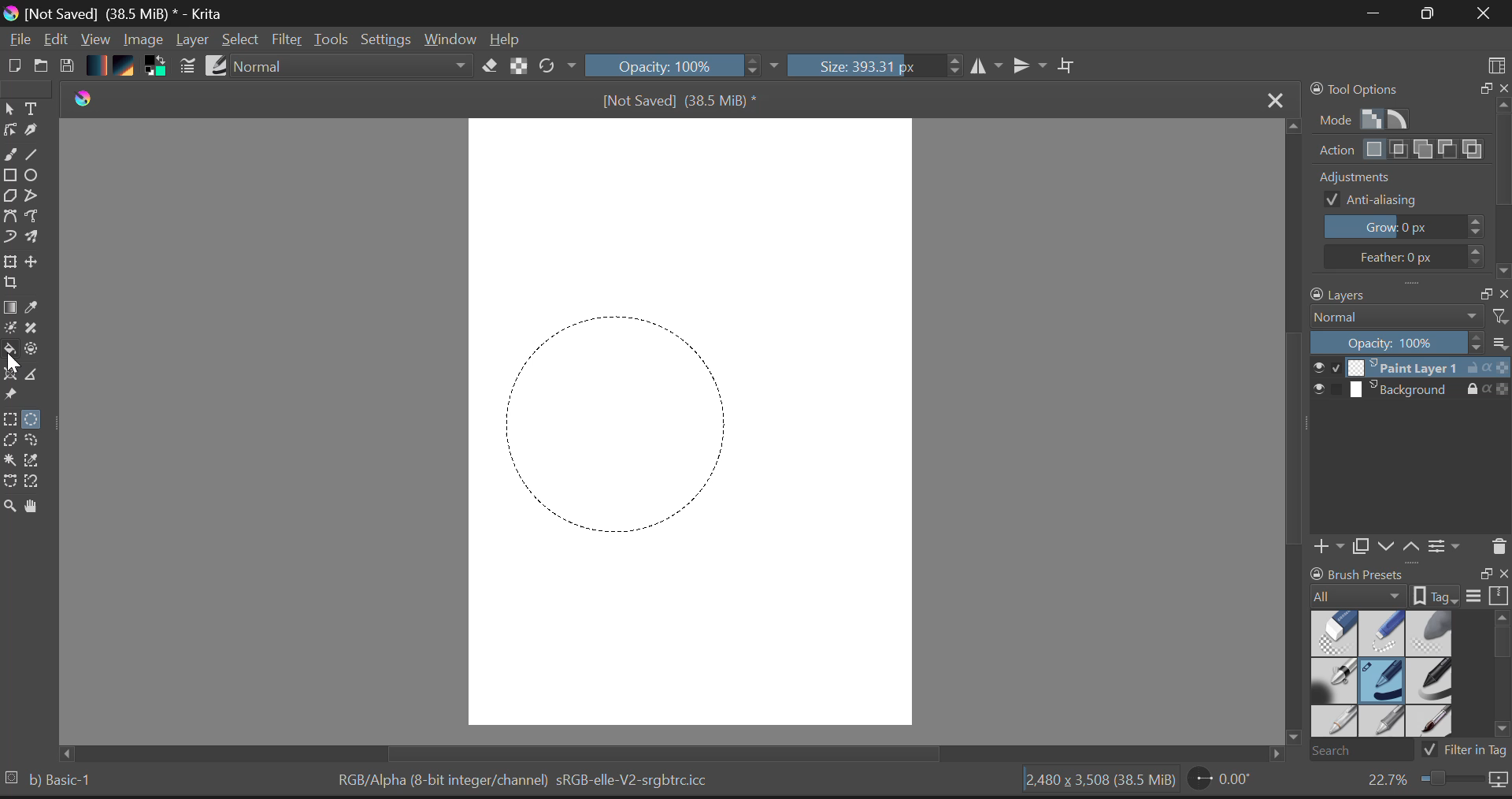  Describe the element at coordinates (9, 421) in the screenshot. I see `Rectangle Selection` at that location.